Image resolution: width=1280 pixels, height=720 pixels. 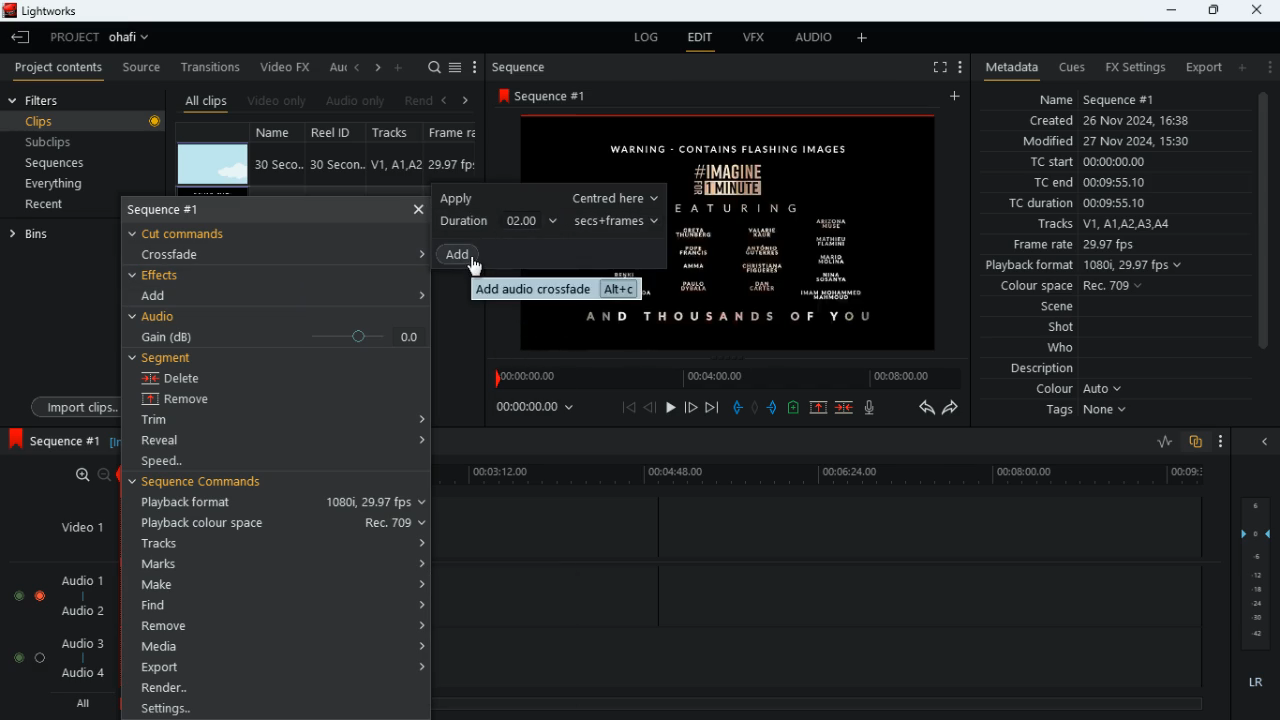 I want to click on image, so click(x=213, y=165).